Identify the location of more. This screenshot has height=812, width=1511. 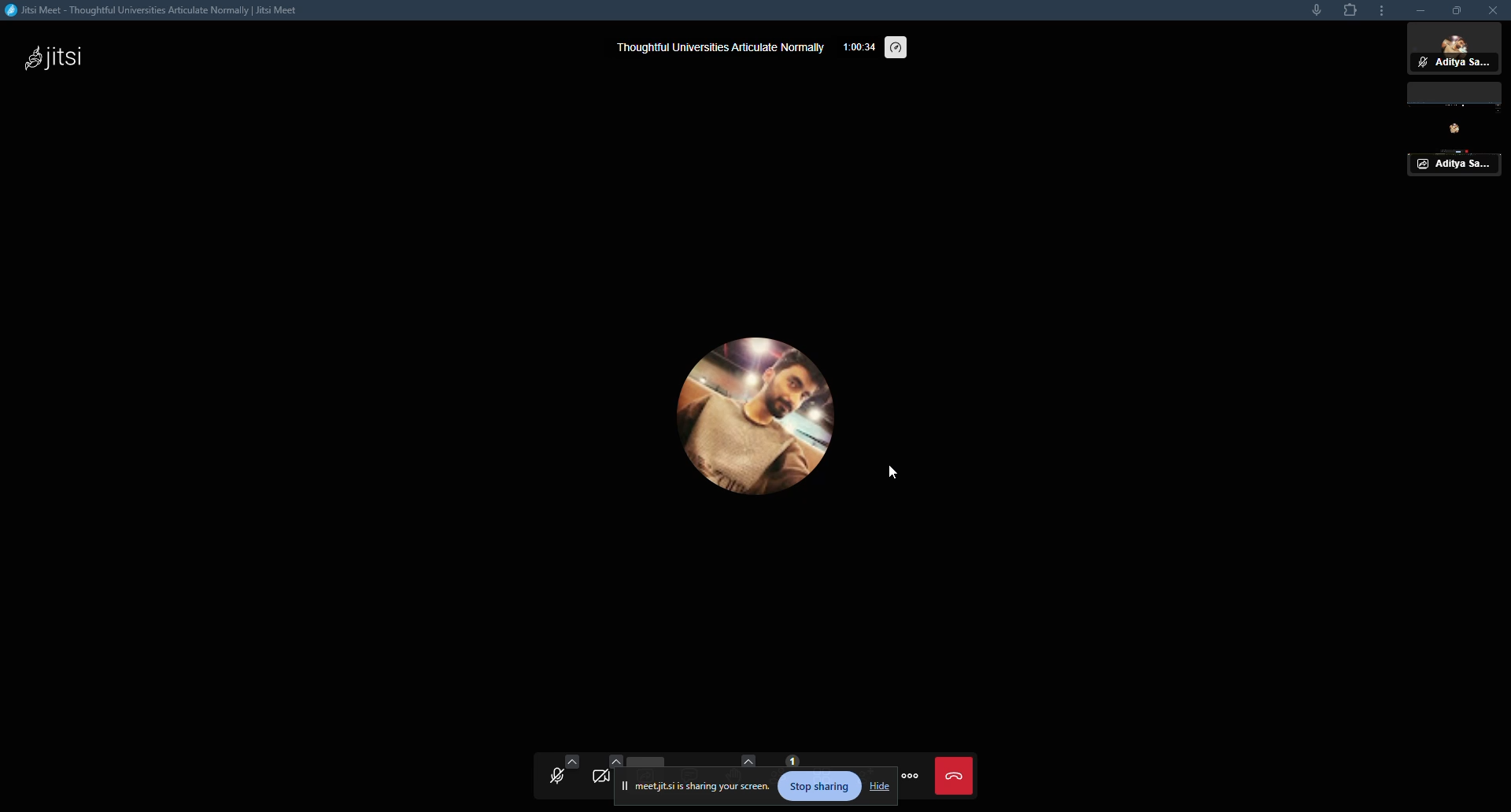
(1381, 11).